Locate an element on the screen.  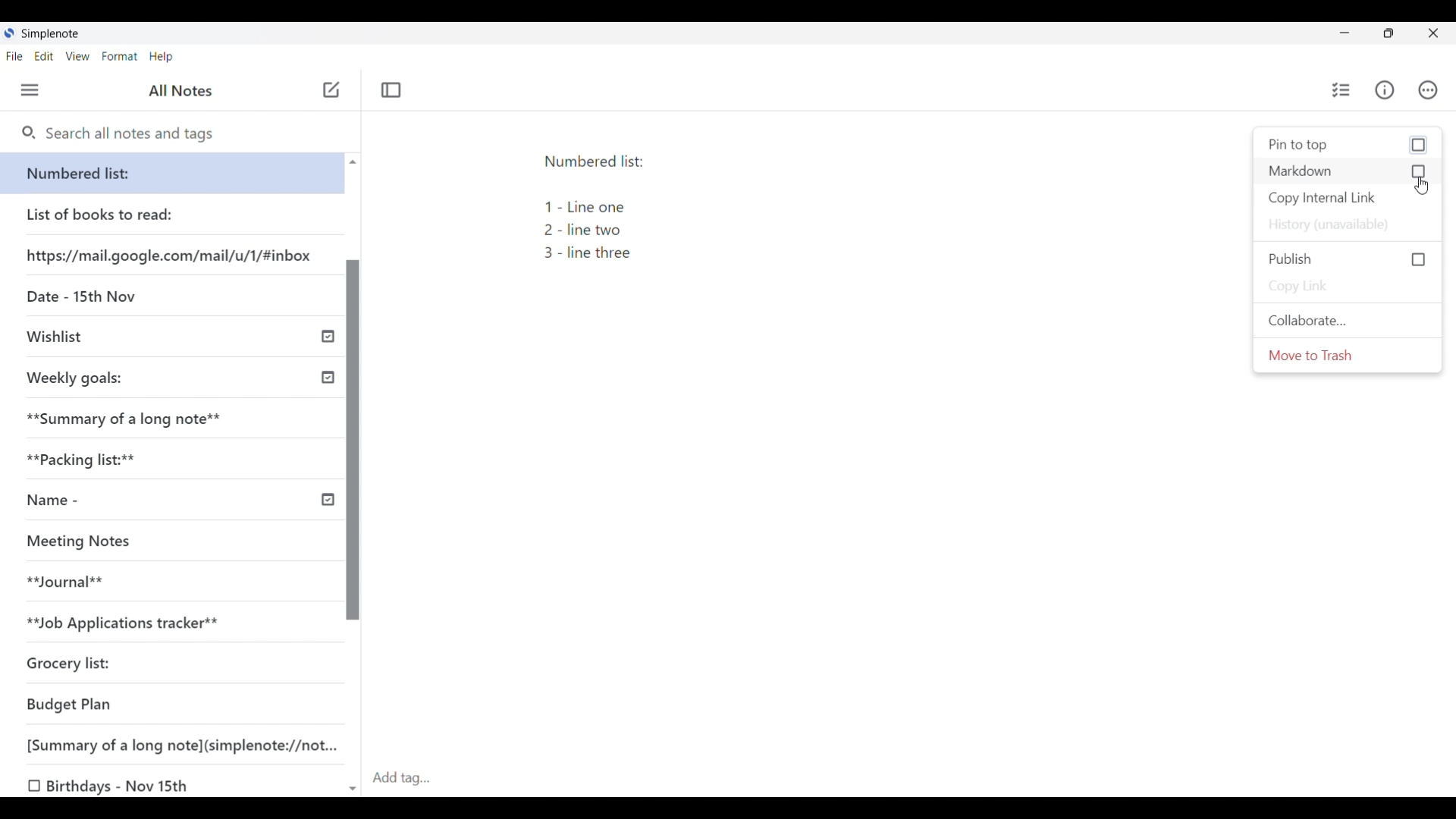
Actions is located at coordinates (1429, 92).